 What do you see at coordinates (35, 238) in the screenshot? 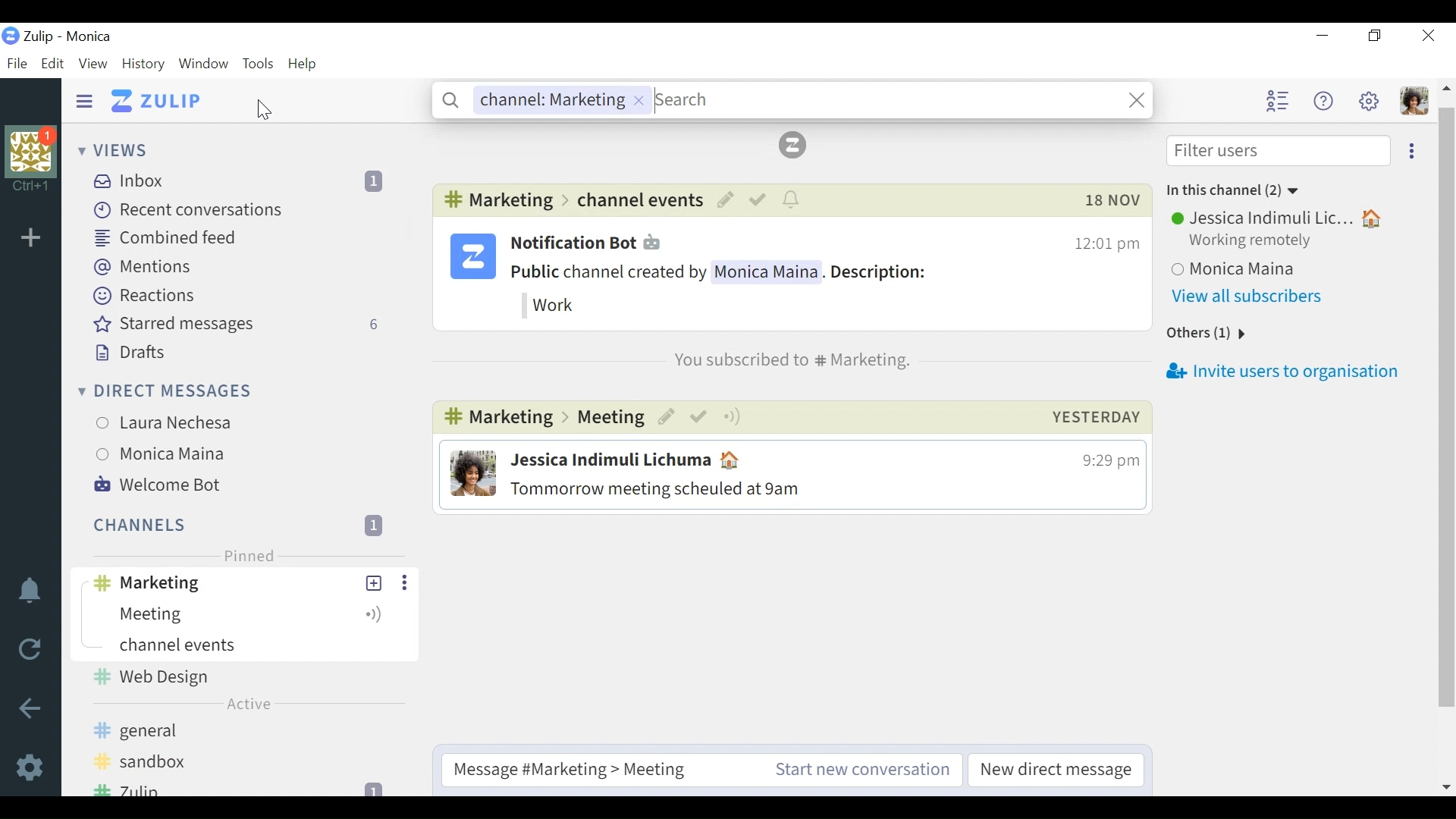
I see `Add organisation` at bounding box center [35, 238].